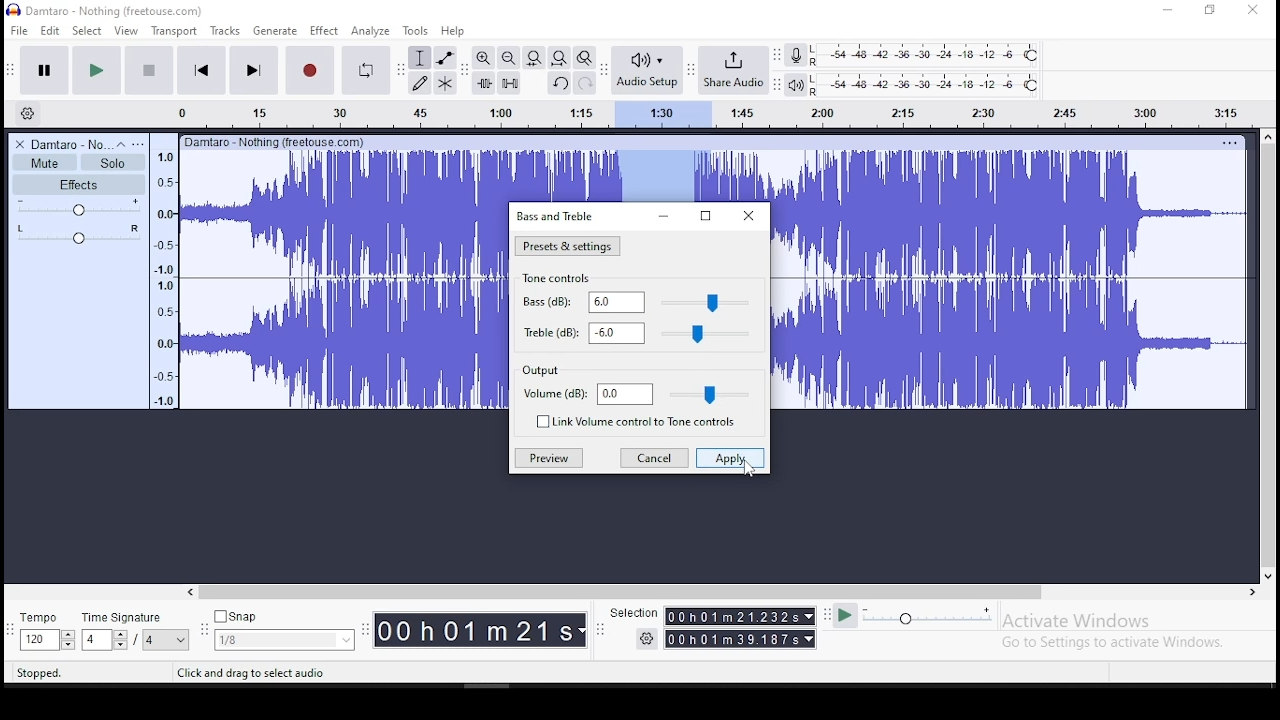  I want to click on timeline settings, so click(26, 112).